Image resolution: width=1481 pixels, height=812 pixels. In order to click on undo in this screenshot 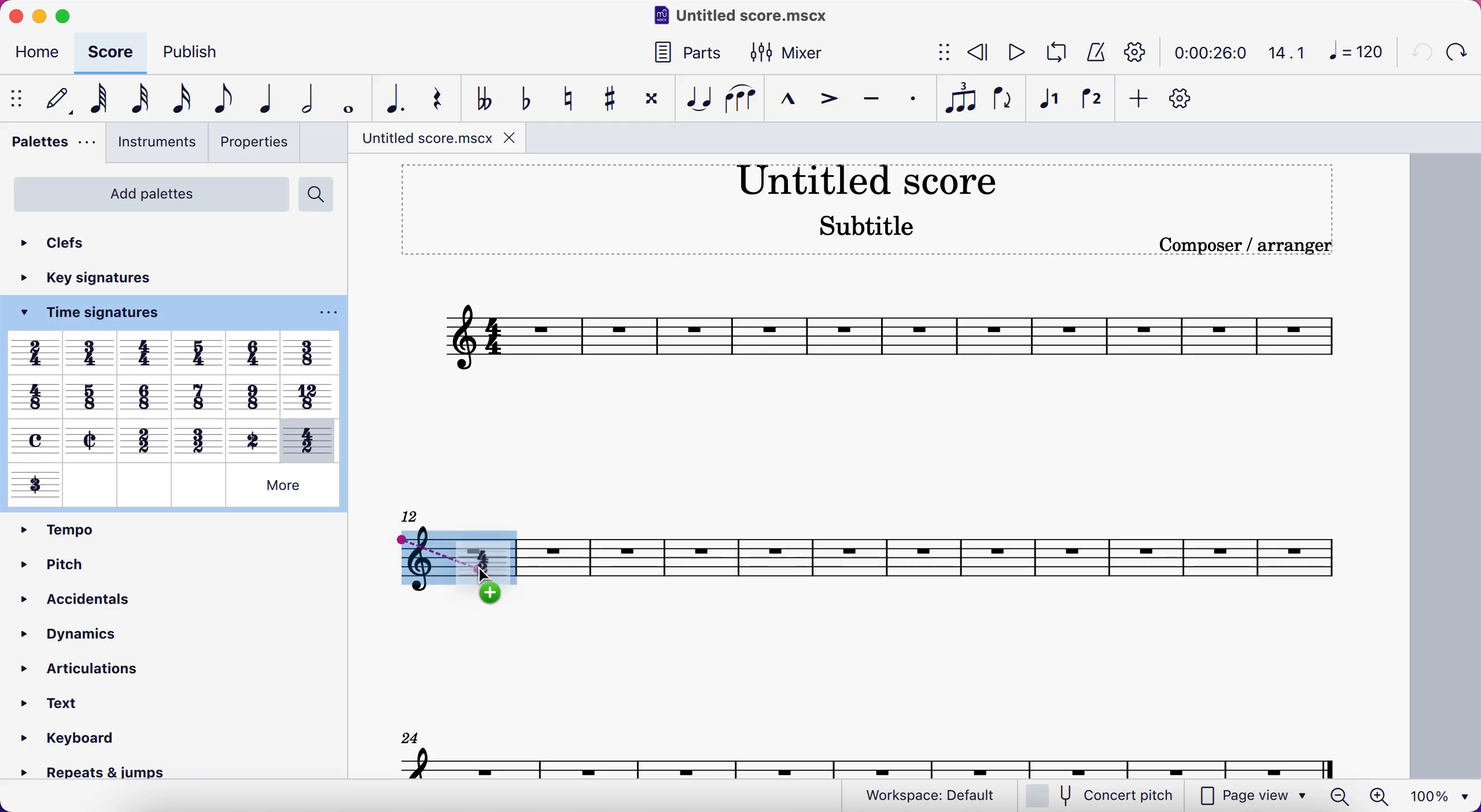, I will do `click(1420, 50)`.